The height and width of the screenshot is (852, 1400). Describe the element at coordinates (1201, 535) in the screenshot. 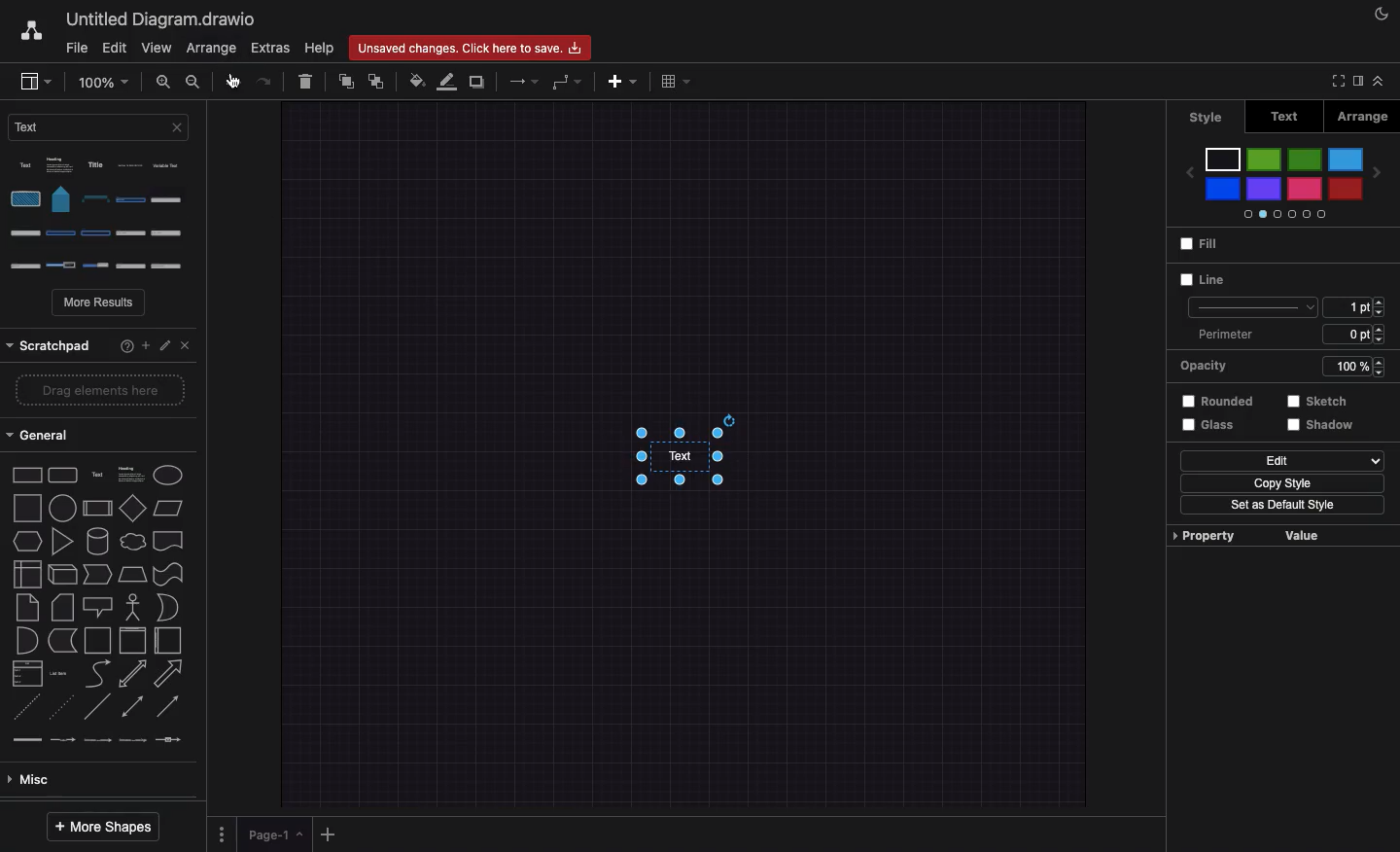

I see `Property` at that location.